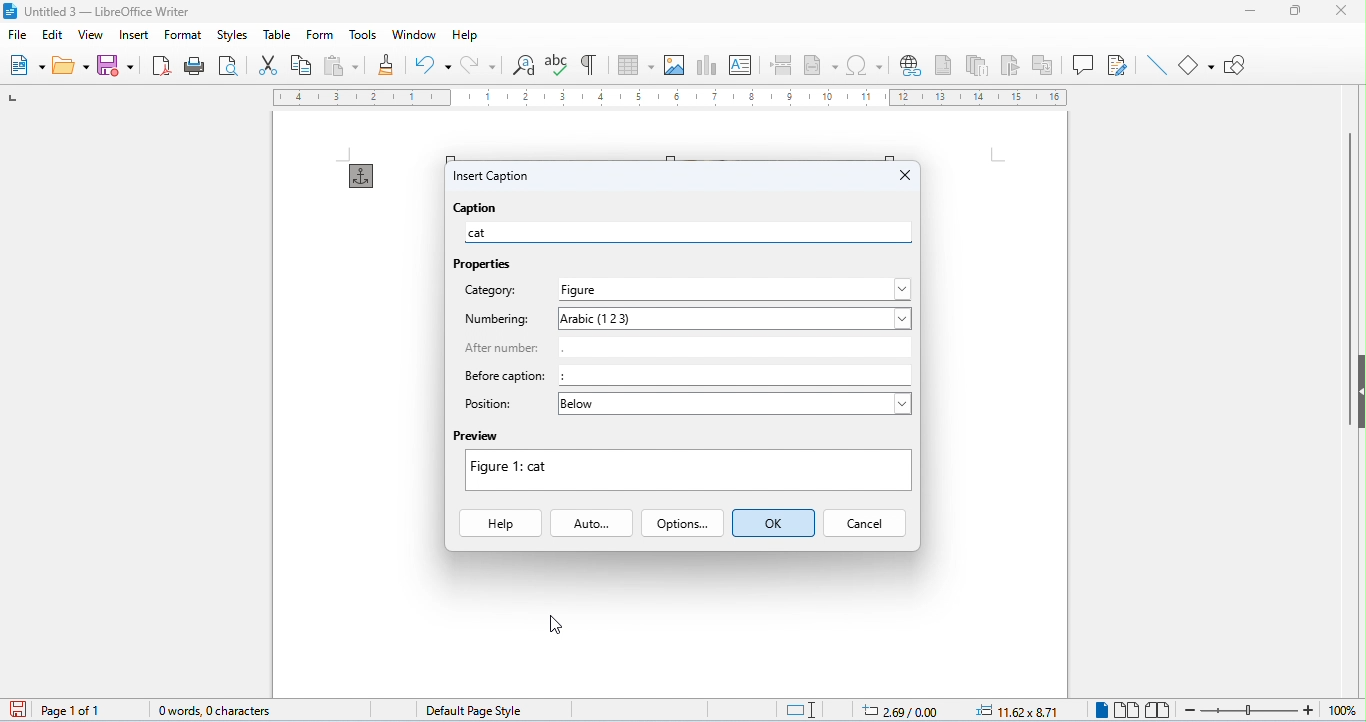 The width and height of the screenshot is (1366, 722). Describe the element at coordinates (102, 11) in the screenshot. I see `title` at that location.